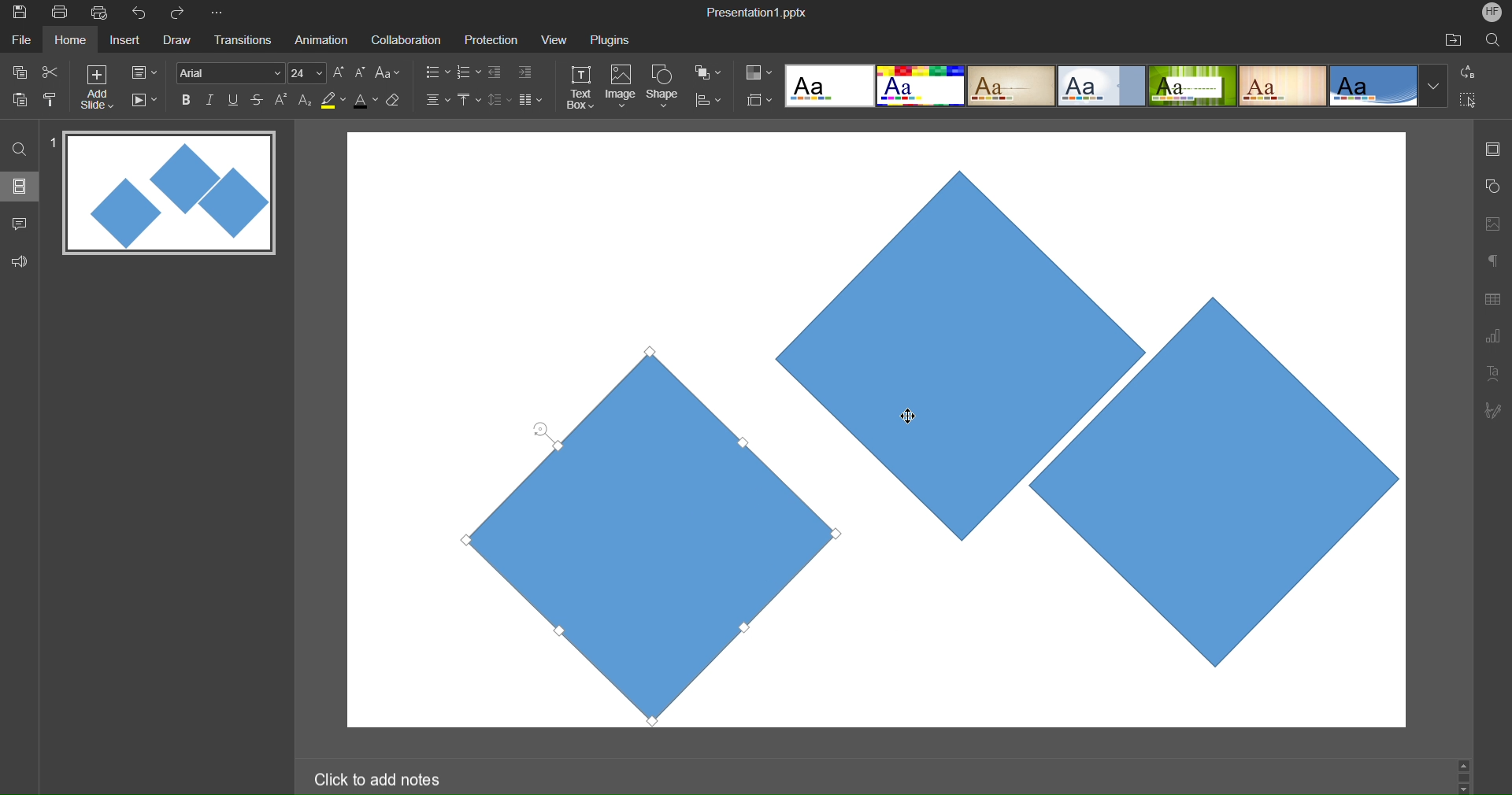 Image resolution: width=1512 pixels, height=795 pixels. I want to click on Strikethrough, so click(258, 99).